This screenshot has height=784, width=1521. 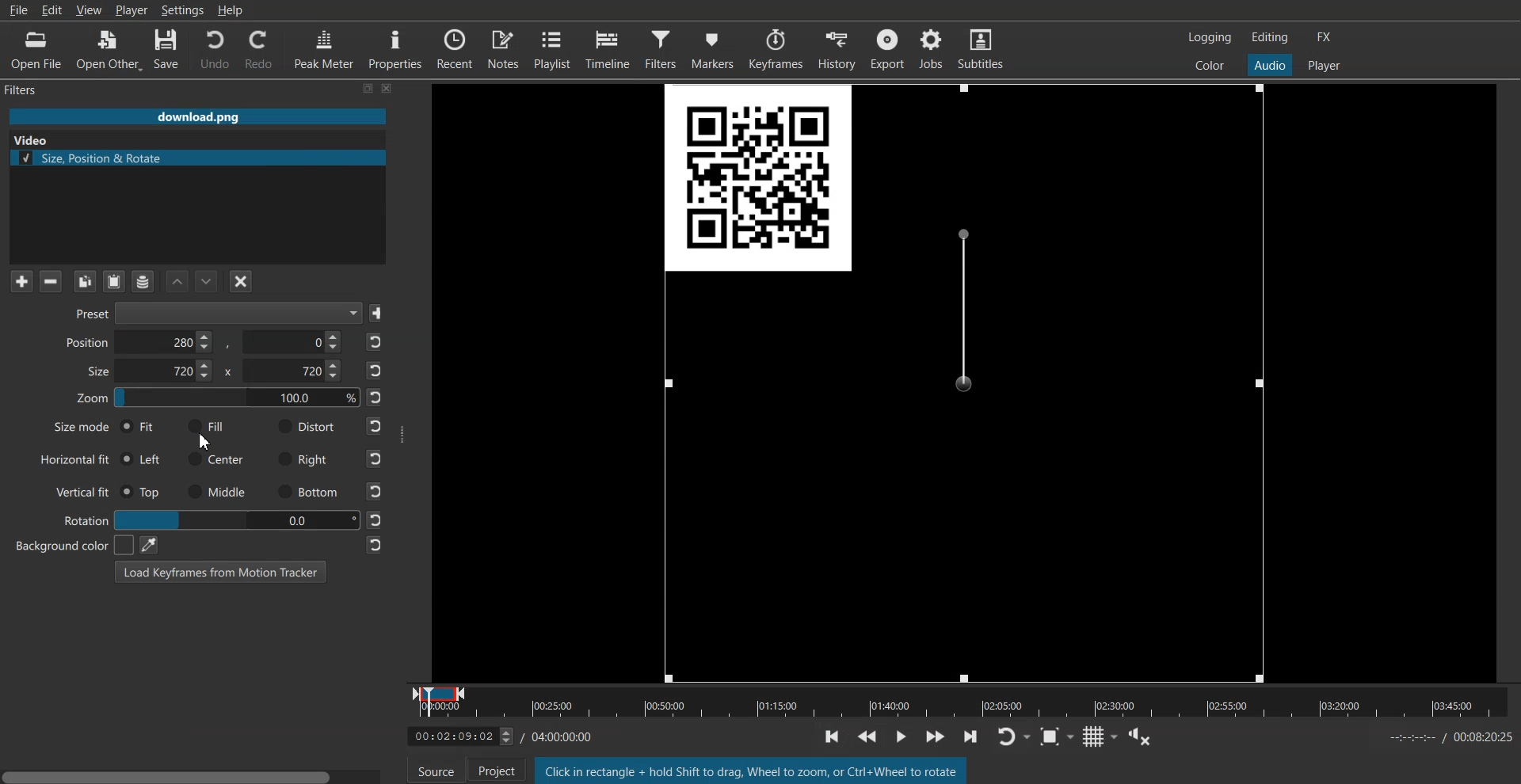 What do you see at coordinates (259, 51) in the screenshot?
I see `Redo` at bounding box center [259, 51].